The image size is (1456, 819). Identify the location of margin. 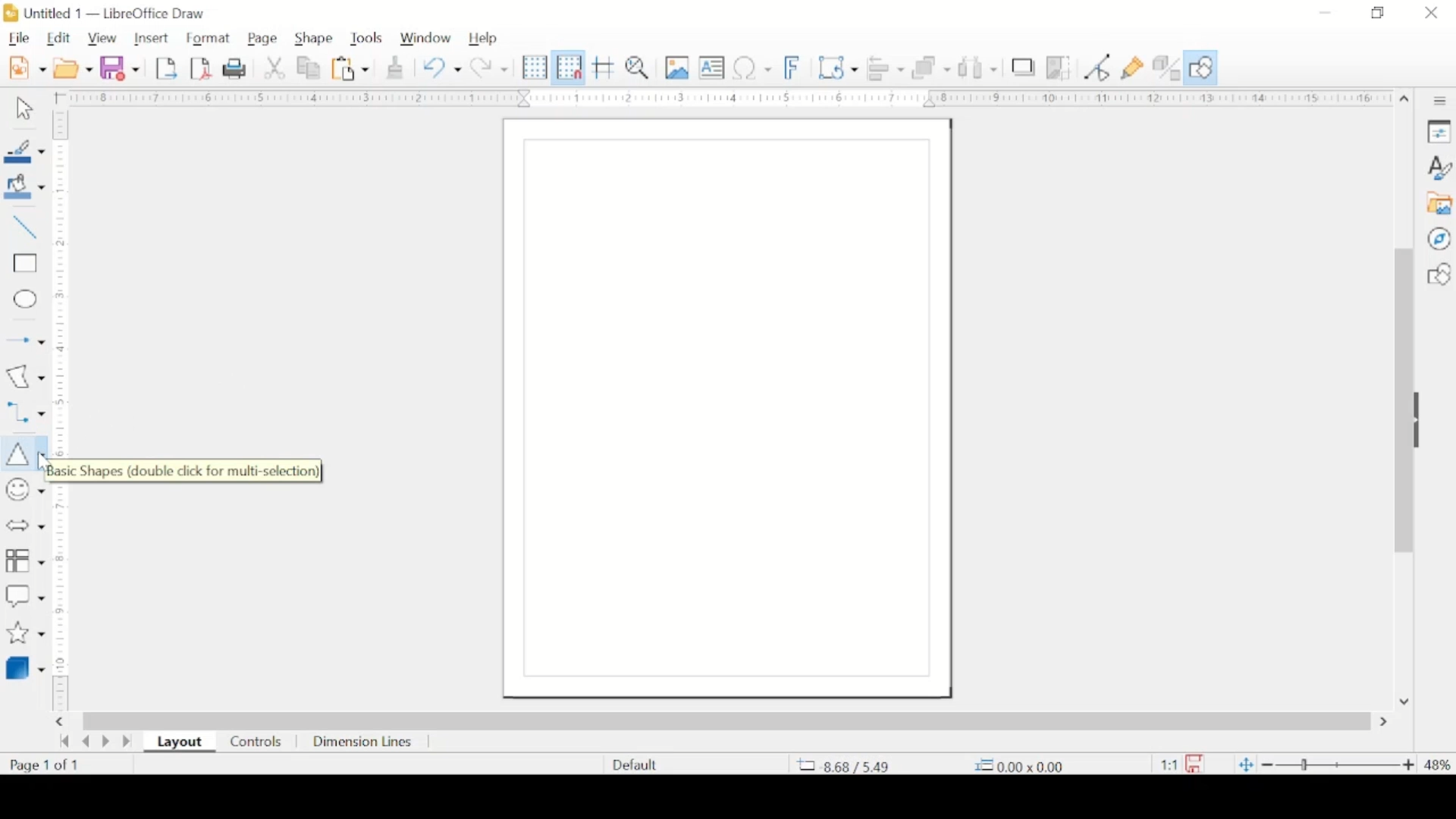
(63, 413).